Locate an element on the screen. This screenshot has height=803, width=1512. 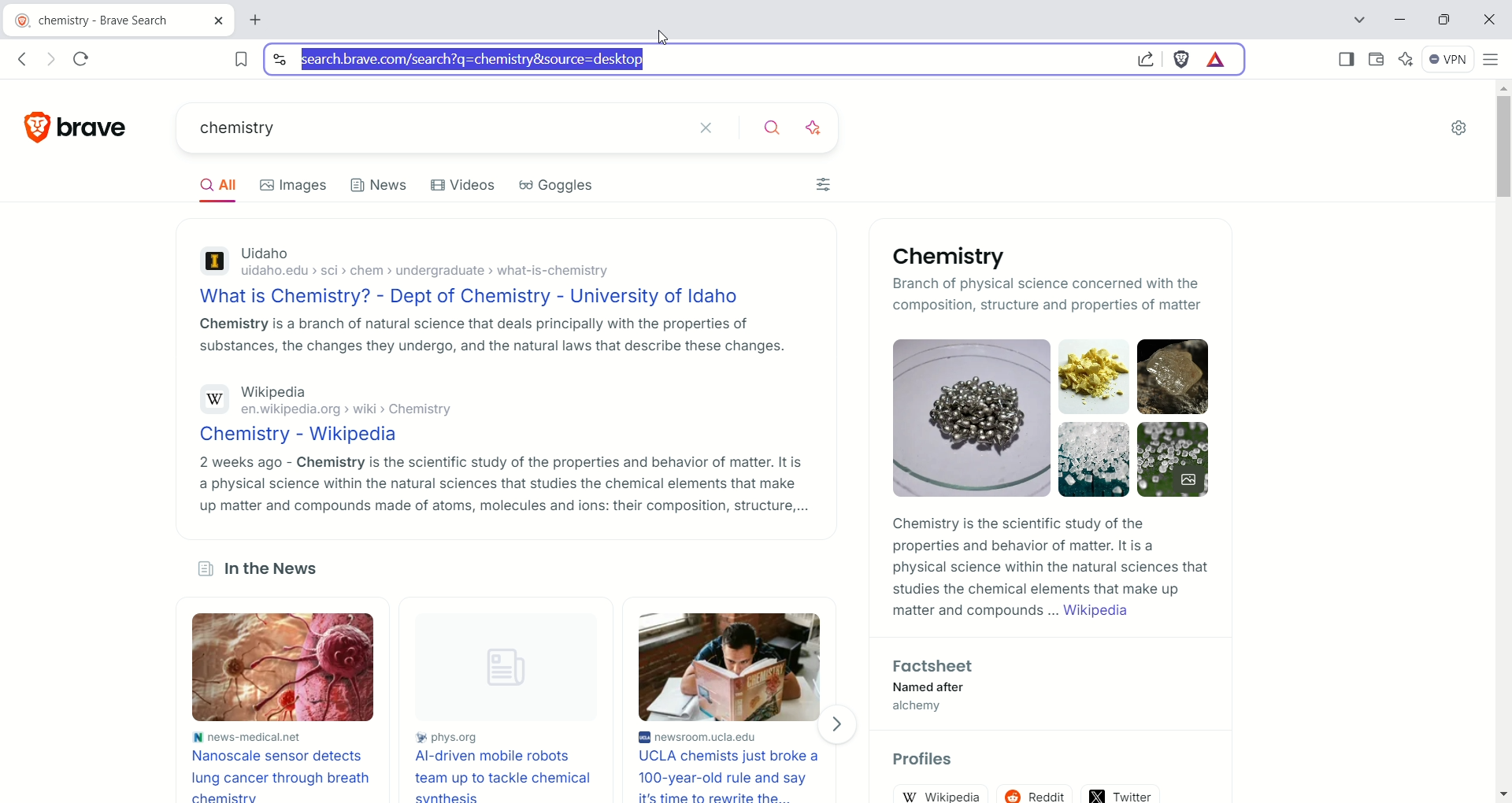
Uidaho is located at coordinates (265, 254).